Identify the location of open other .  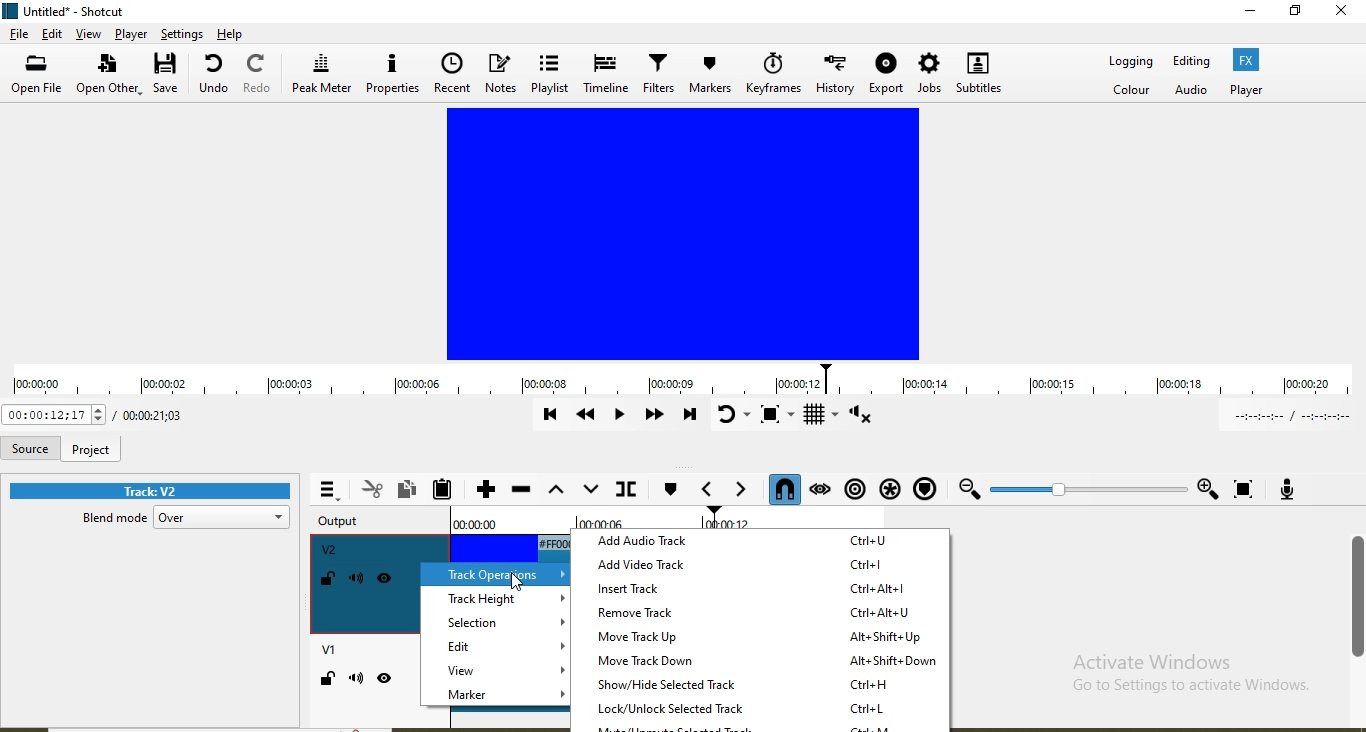
(109, 78).